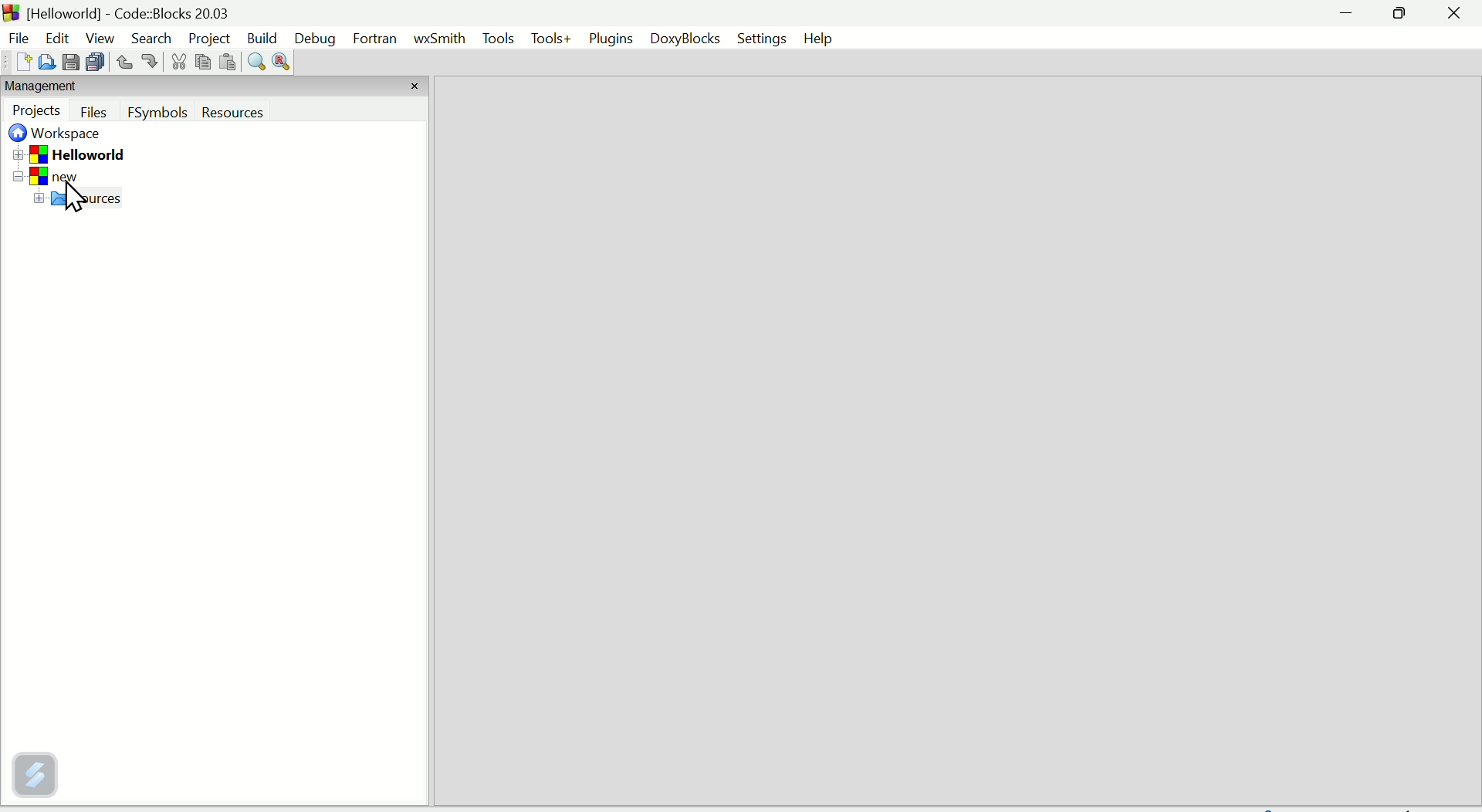  What do you see at coordinates (820, 36) in the screenshot?
I see `Help` at bounding box center [820, 36].